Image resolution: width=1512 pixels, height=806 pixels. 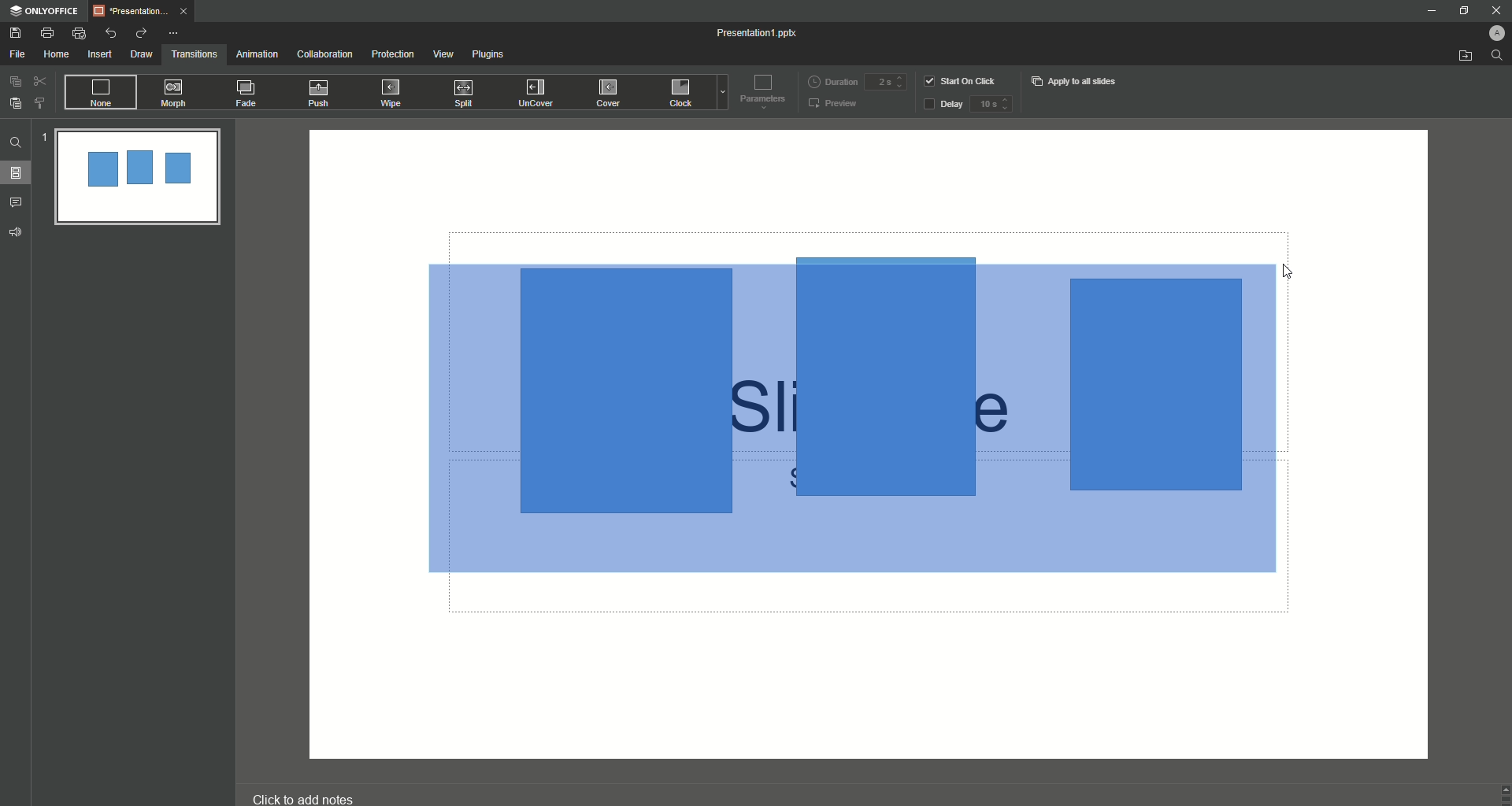 What do you see at coordinates (610, 92) in the screenshot?
I see `Cover` at bounding box center [610, 92].